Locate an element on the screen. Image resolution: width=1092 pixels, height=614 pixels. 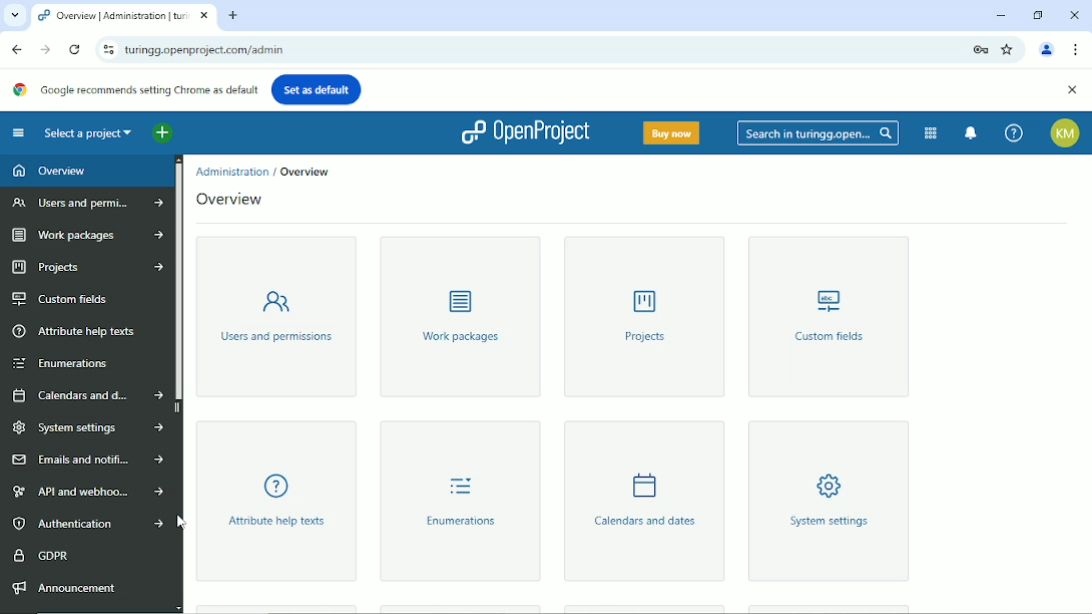
Bookmark this tab is located at coordinates (1009, 49).